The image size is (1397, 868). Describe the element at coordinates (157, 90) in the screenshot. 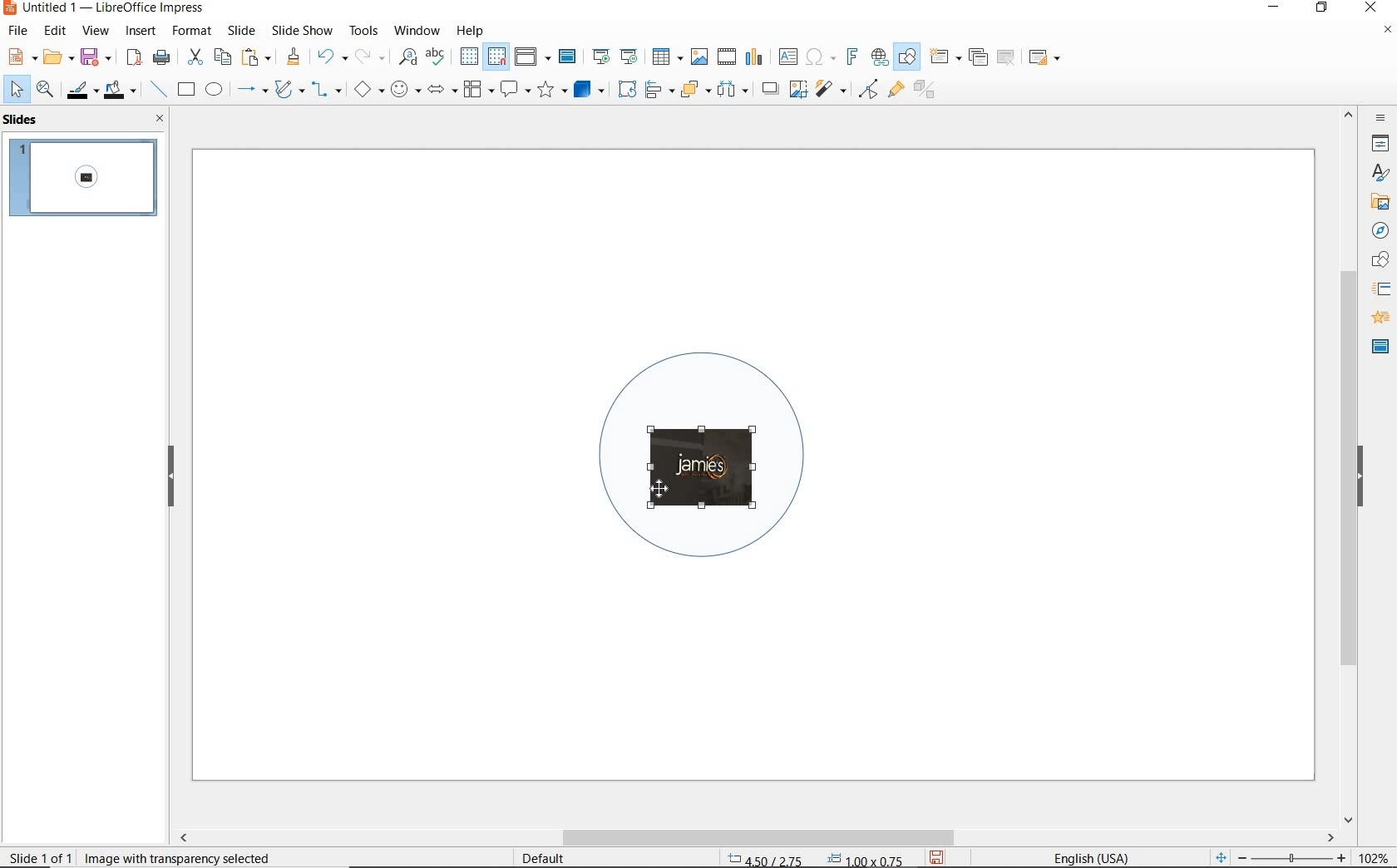

I see `insert line` at that location.